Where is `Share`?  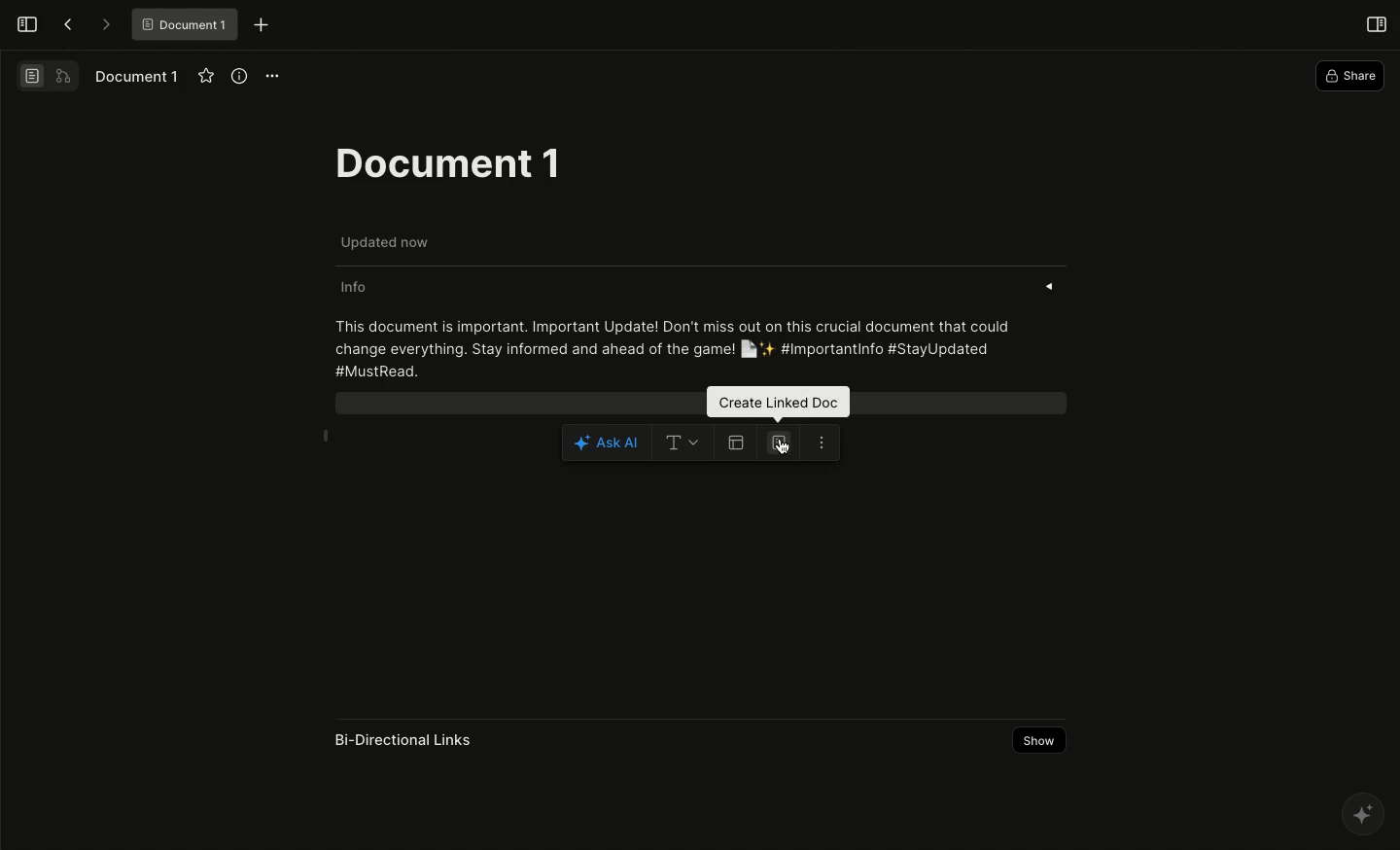 Share is located at coordinates (1347, 75).